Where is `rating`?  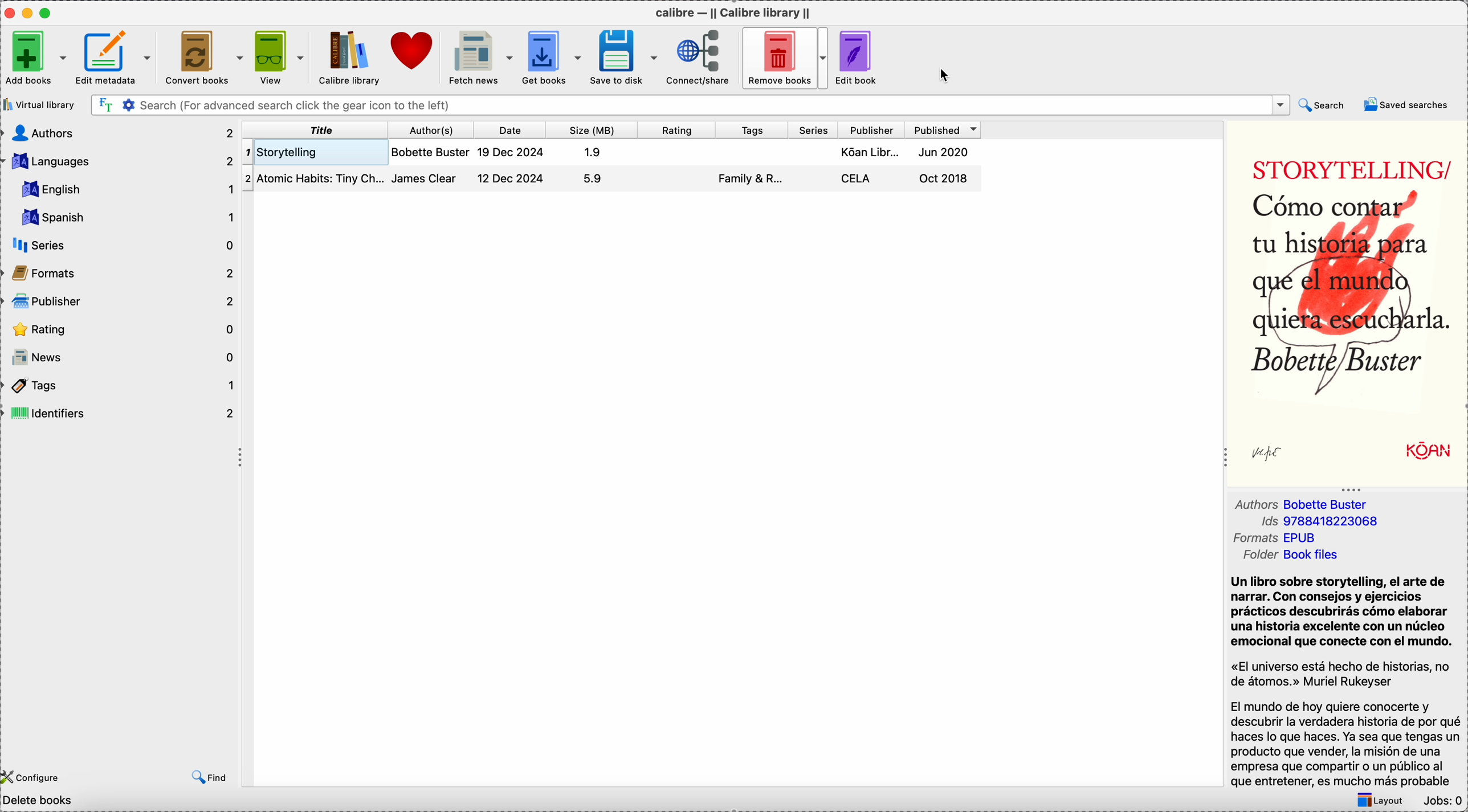
rating is located at coordinates (122, 327).